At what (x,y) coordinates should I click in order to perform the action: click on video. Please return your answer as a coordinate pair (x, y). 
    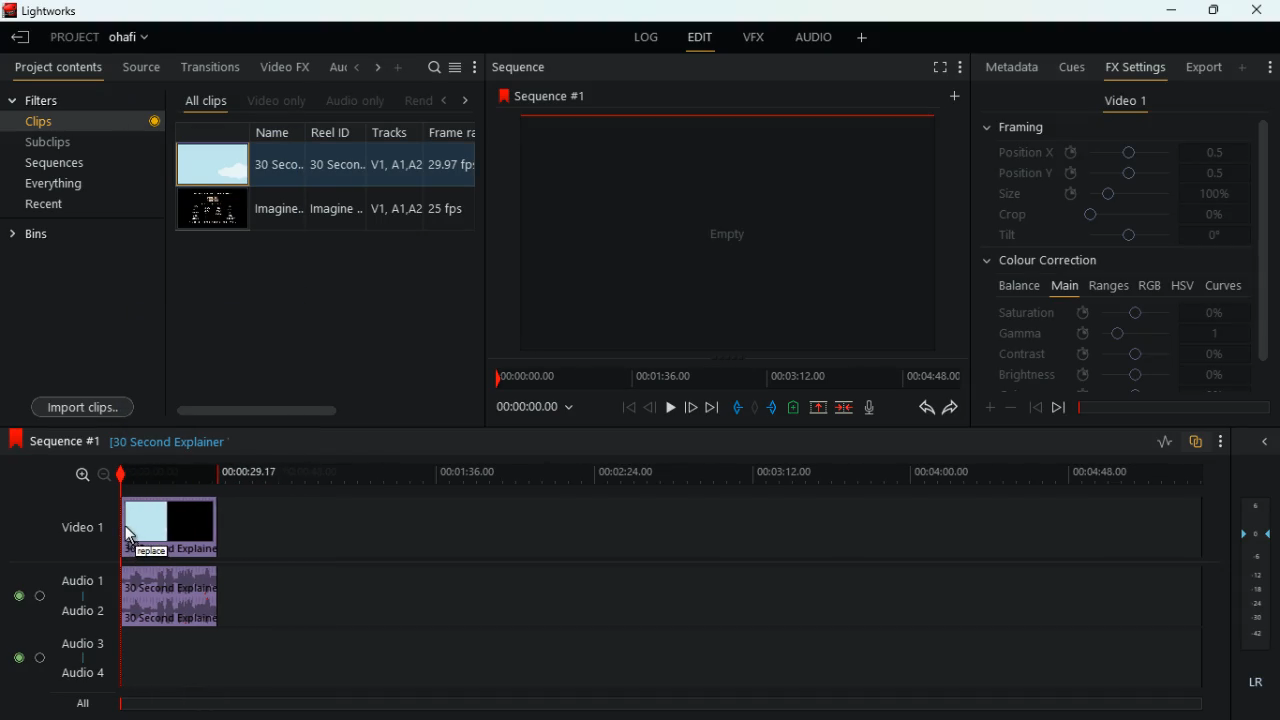
    Looking at the image, I should click on (213, 163).